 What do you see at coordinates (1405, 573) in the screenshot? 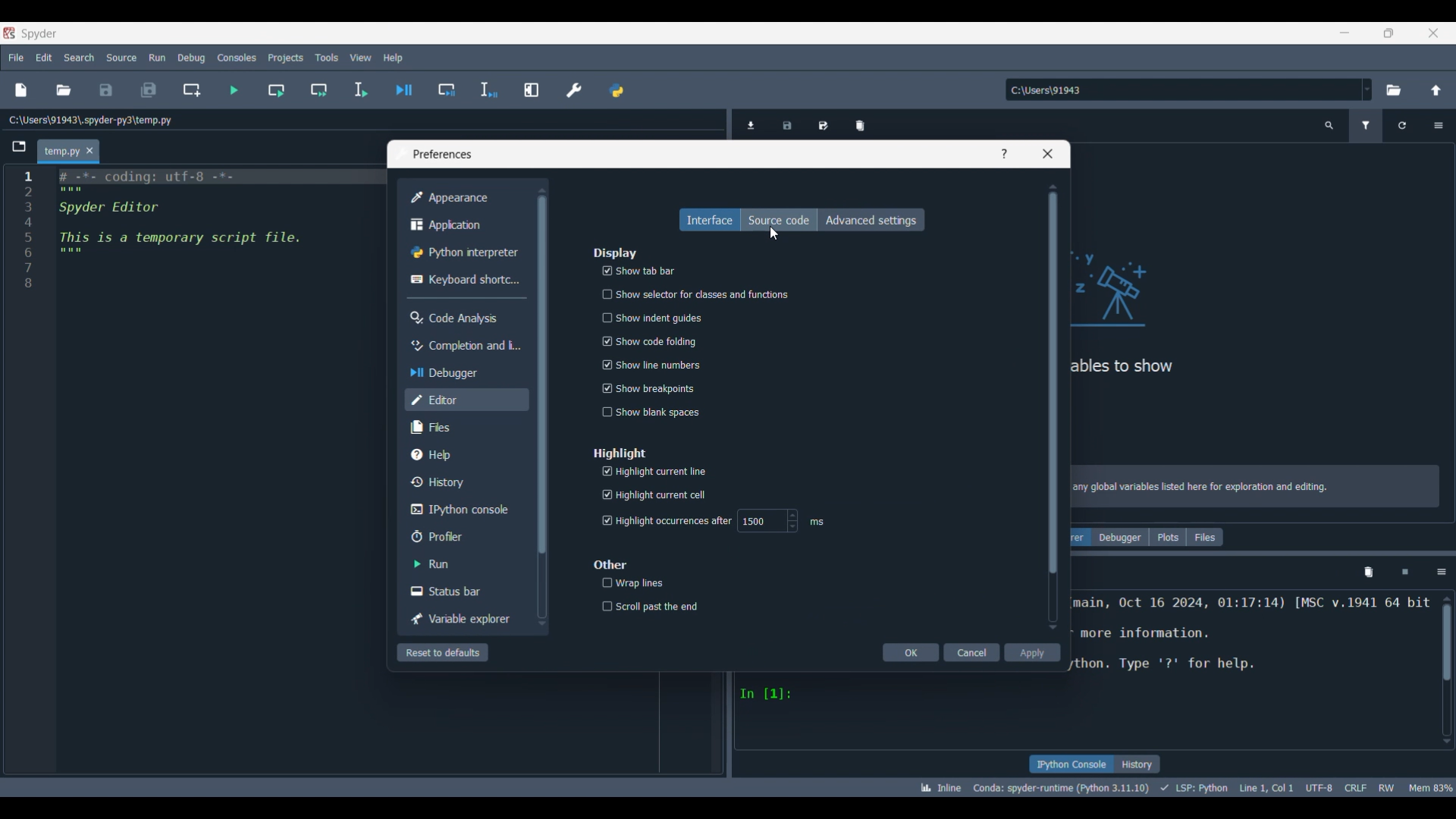
I see `Interrupt kernel` at bounding box center [1405, 573].